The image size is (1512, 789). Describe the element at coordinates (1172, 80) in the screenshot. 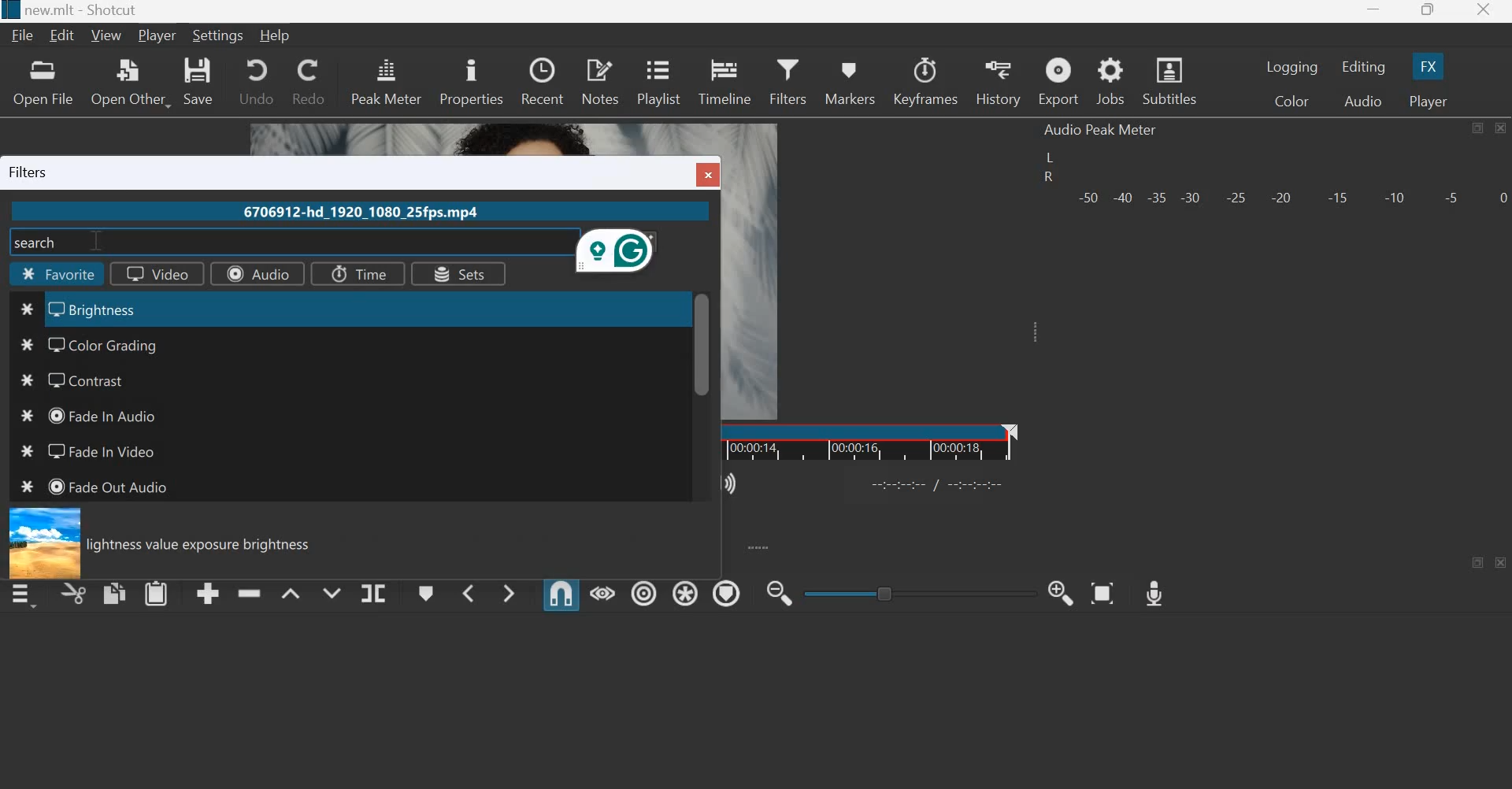

I see `Subtitles` at that location.